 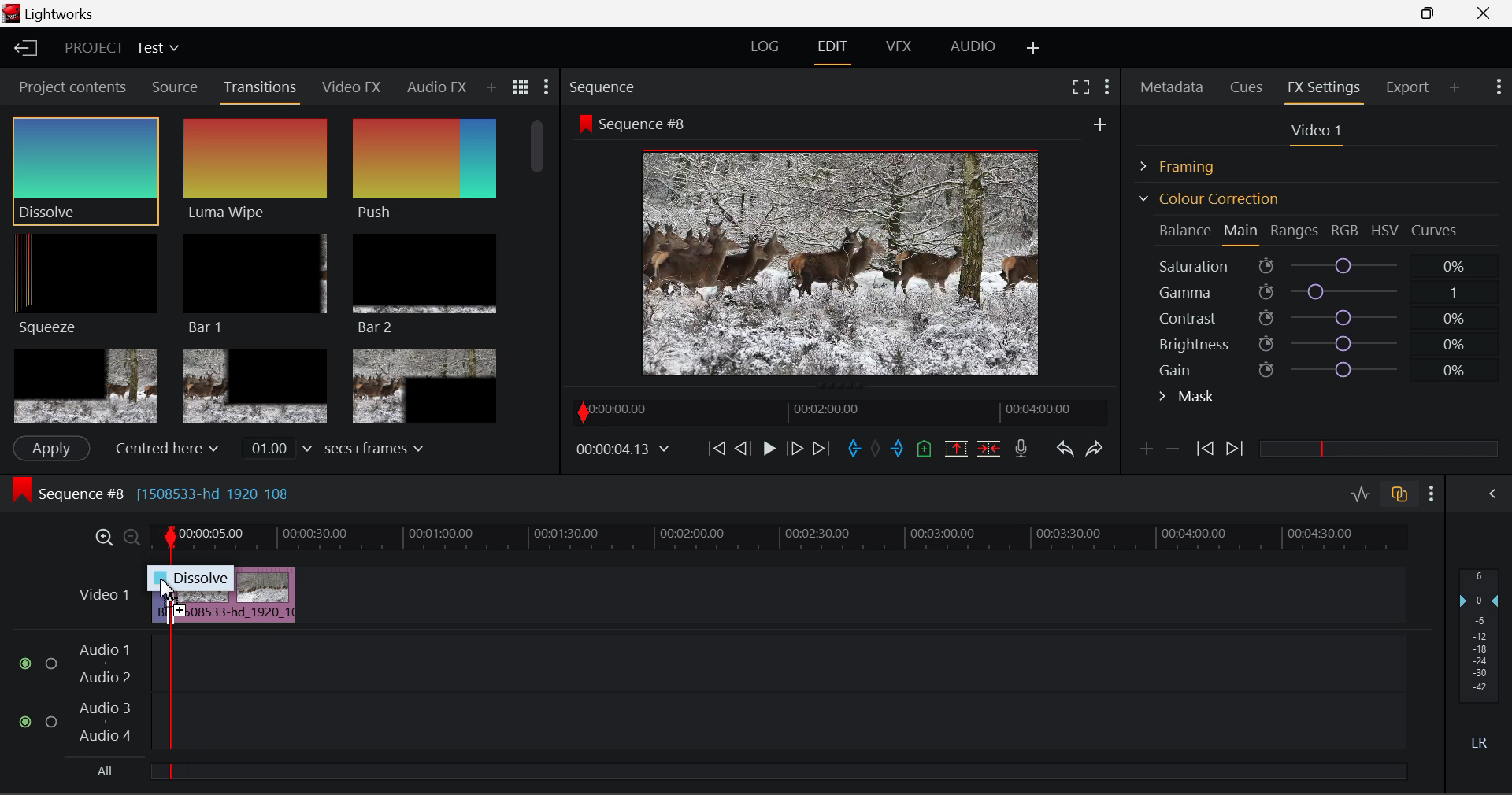 What do you see at coordinates (1318, 341) in the screenshot?
I see `Brightness` at bounding box center [1318, 341].